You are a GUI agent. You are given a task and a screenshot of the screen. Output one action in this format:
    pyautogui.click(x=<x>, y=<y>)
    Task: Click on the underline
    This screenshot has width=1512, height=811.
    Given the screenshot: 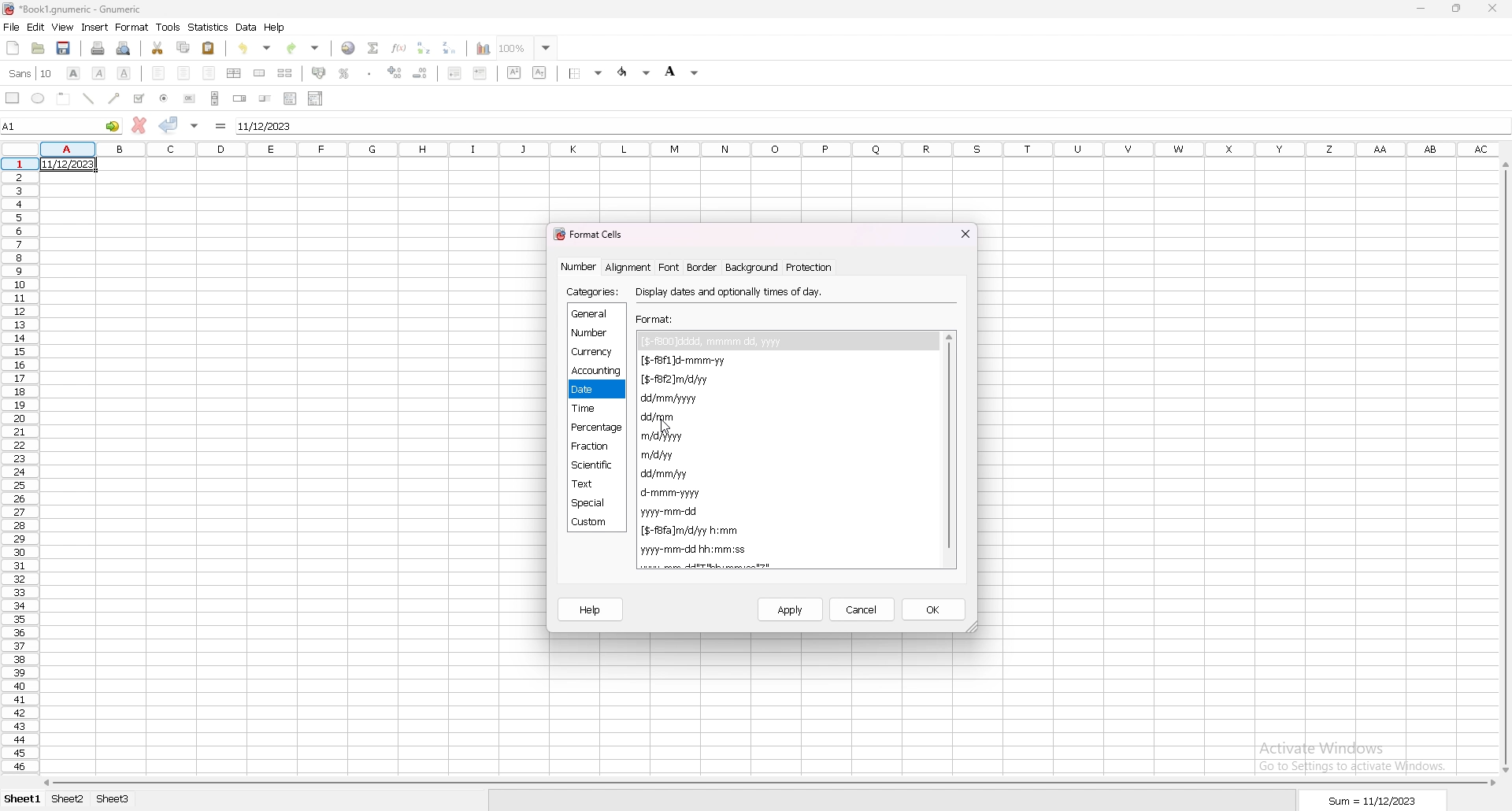 What is the action you would take?
    pyautogui.click(x=124, y=73)
    